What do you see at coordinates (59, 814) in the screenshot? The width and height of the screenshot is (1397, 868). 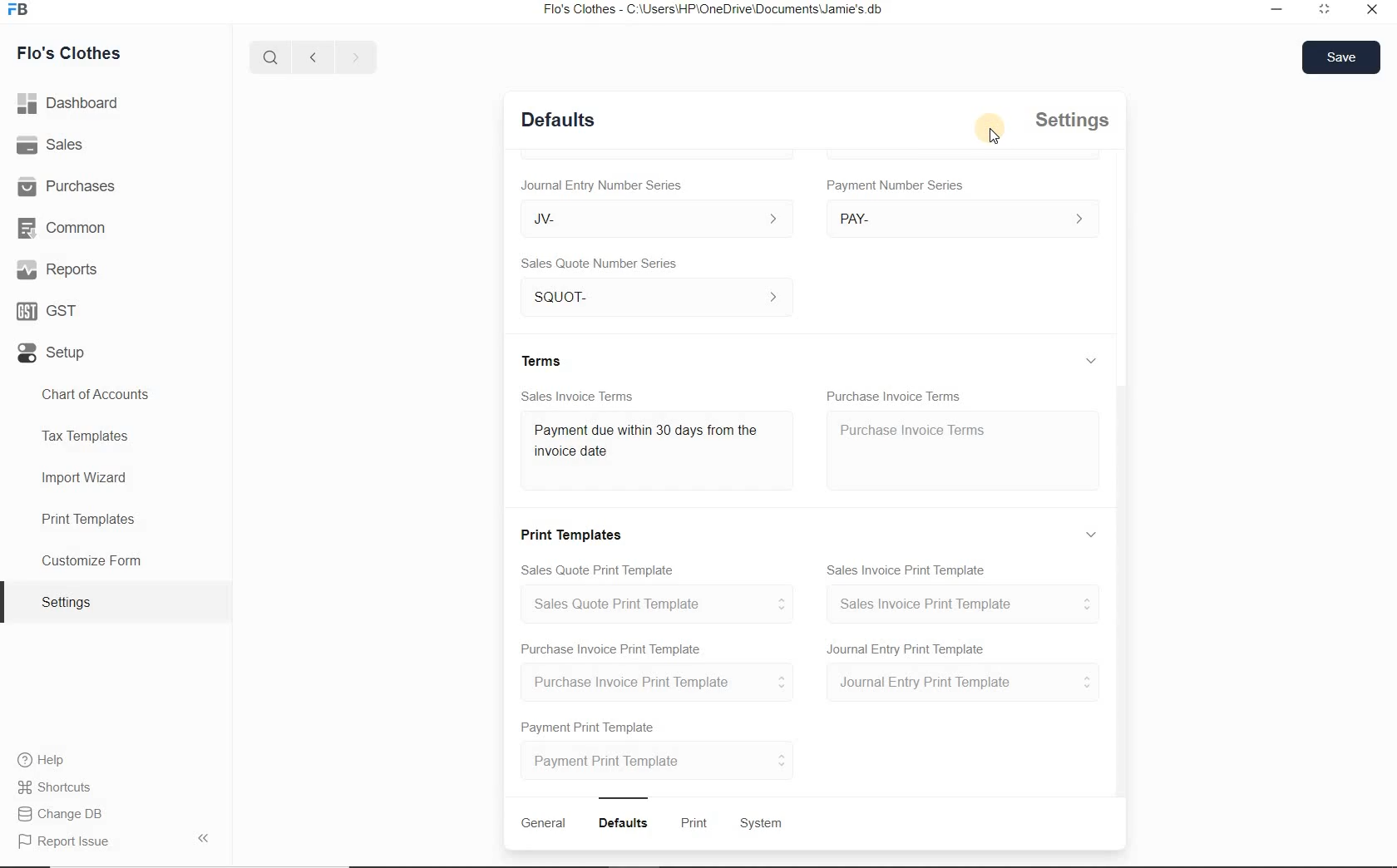 I see `Change DB` at bounding box center [59, 814].